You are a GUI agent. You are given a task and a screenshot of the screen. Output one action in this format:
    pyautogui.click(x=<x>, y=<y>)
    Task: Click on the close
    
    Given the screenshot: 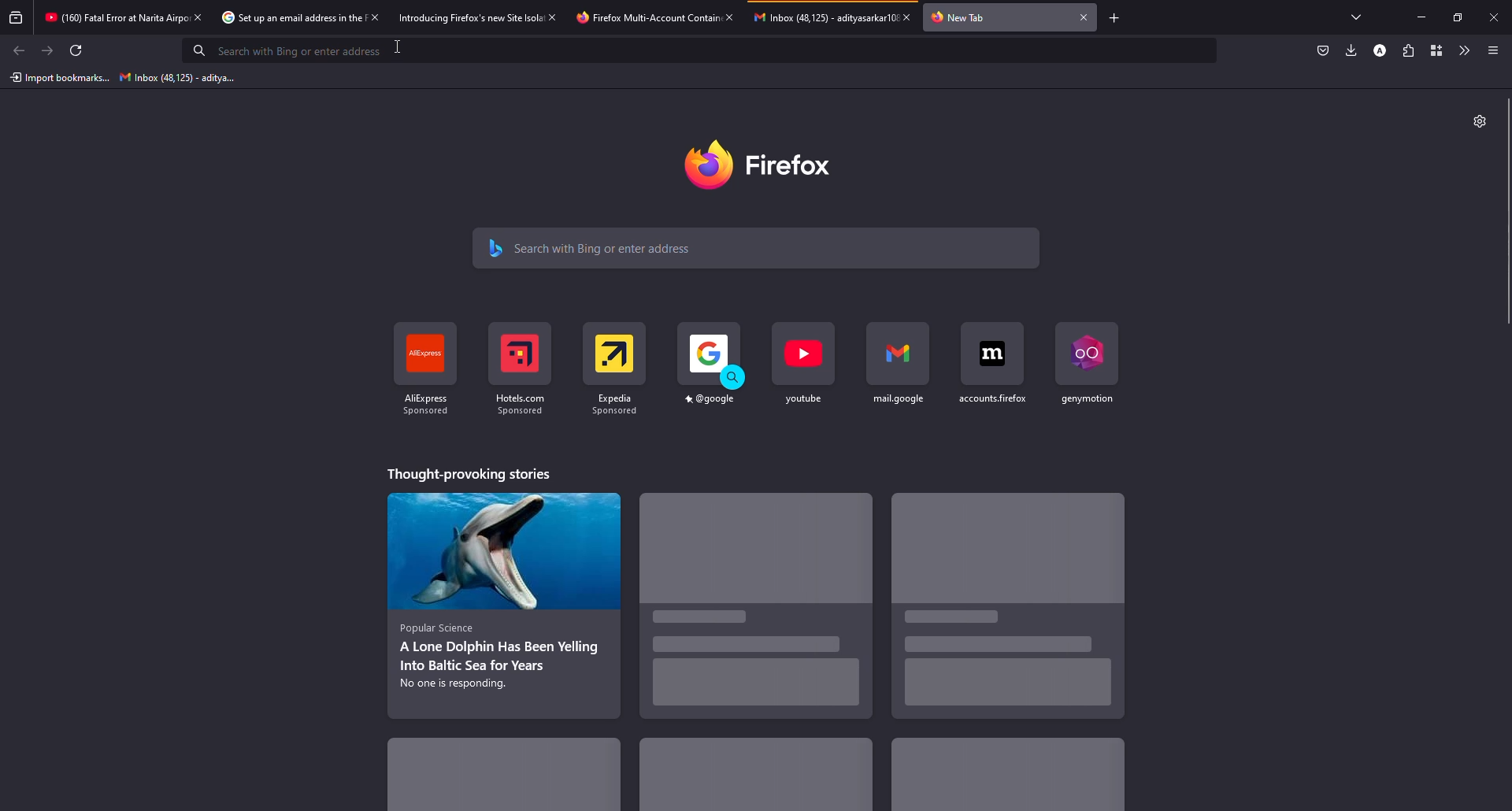 What is the action you would take?
    pyautogui.click(x=376, y=17)
    